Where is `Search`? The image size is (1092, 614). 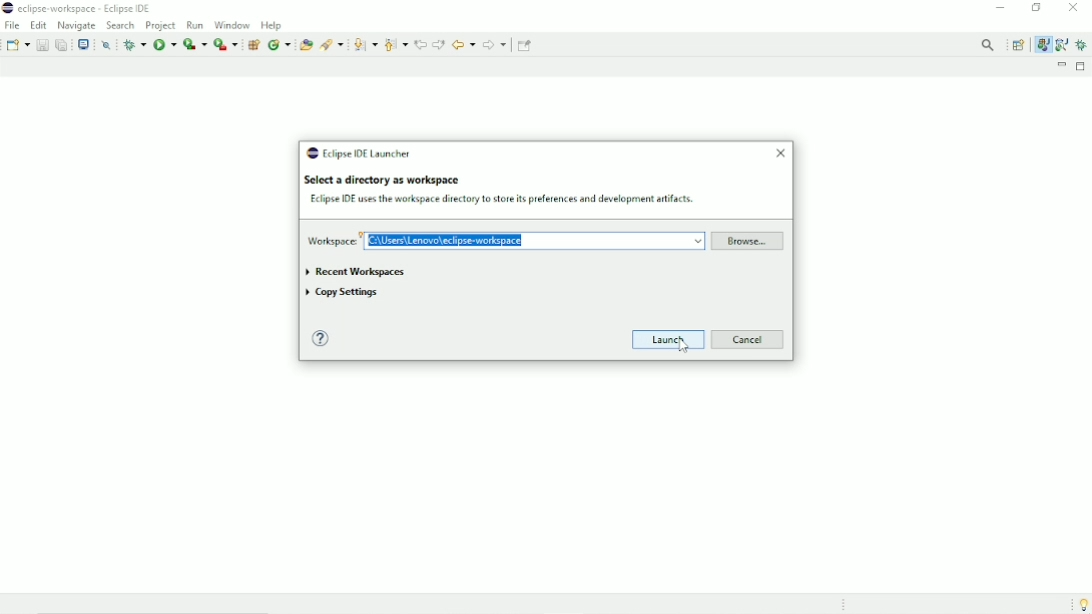
Search is located at coordinates (332, 43).